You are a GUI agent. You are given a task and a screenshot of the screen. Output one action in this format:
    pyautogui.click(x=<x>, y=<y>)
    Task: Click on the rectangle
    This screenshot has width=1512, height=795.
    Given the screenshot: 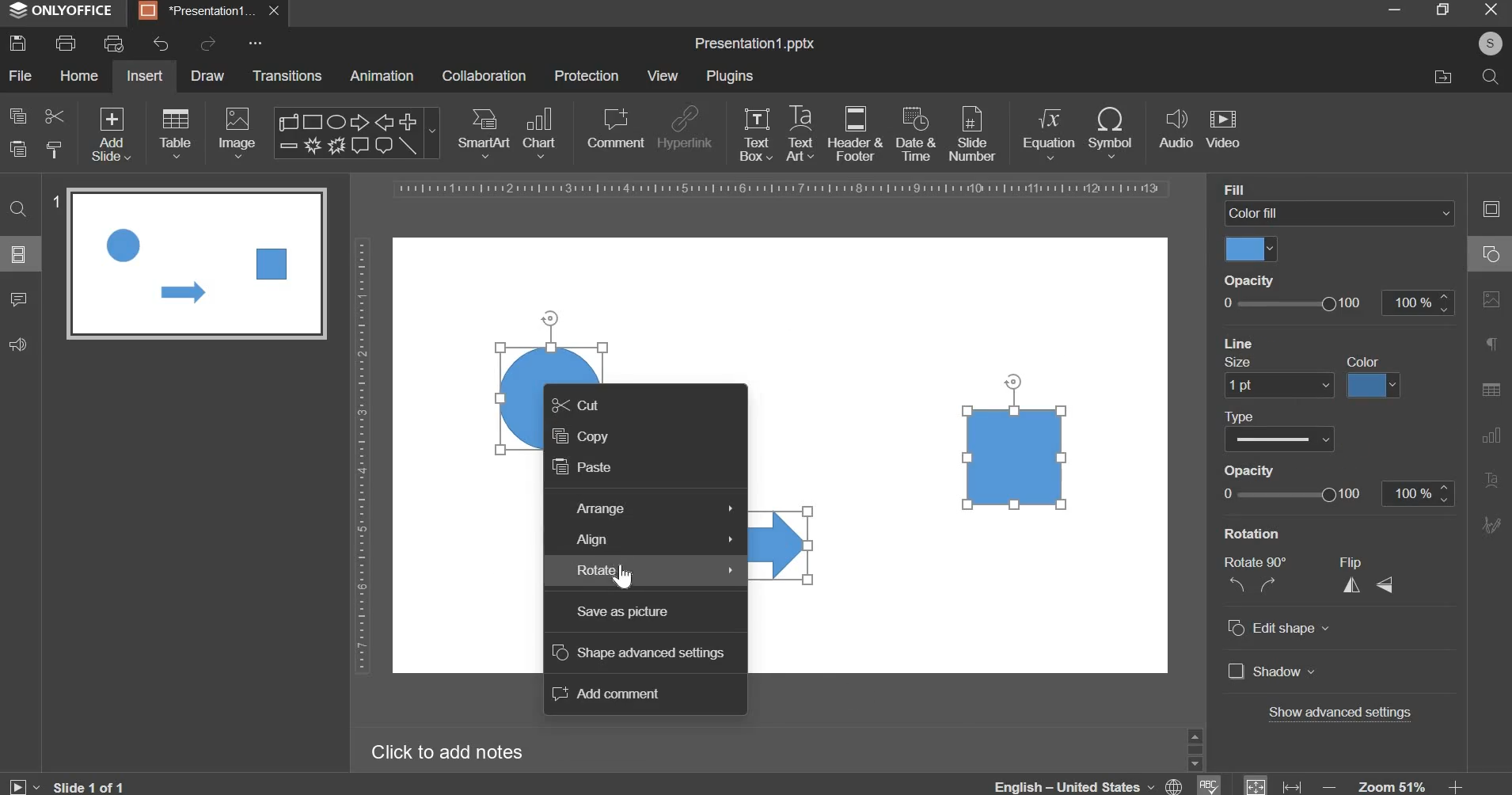 What is the action you would take?
    pyautogui.click(x=1016, y=456)
    